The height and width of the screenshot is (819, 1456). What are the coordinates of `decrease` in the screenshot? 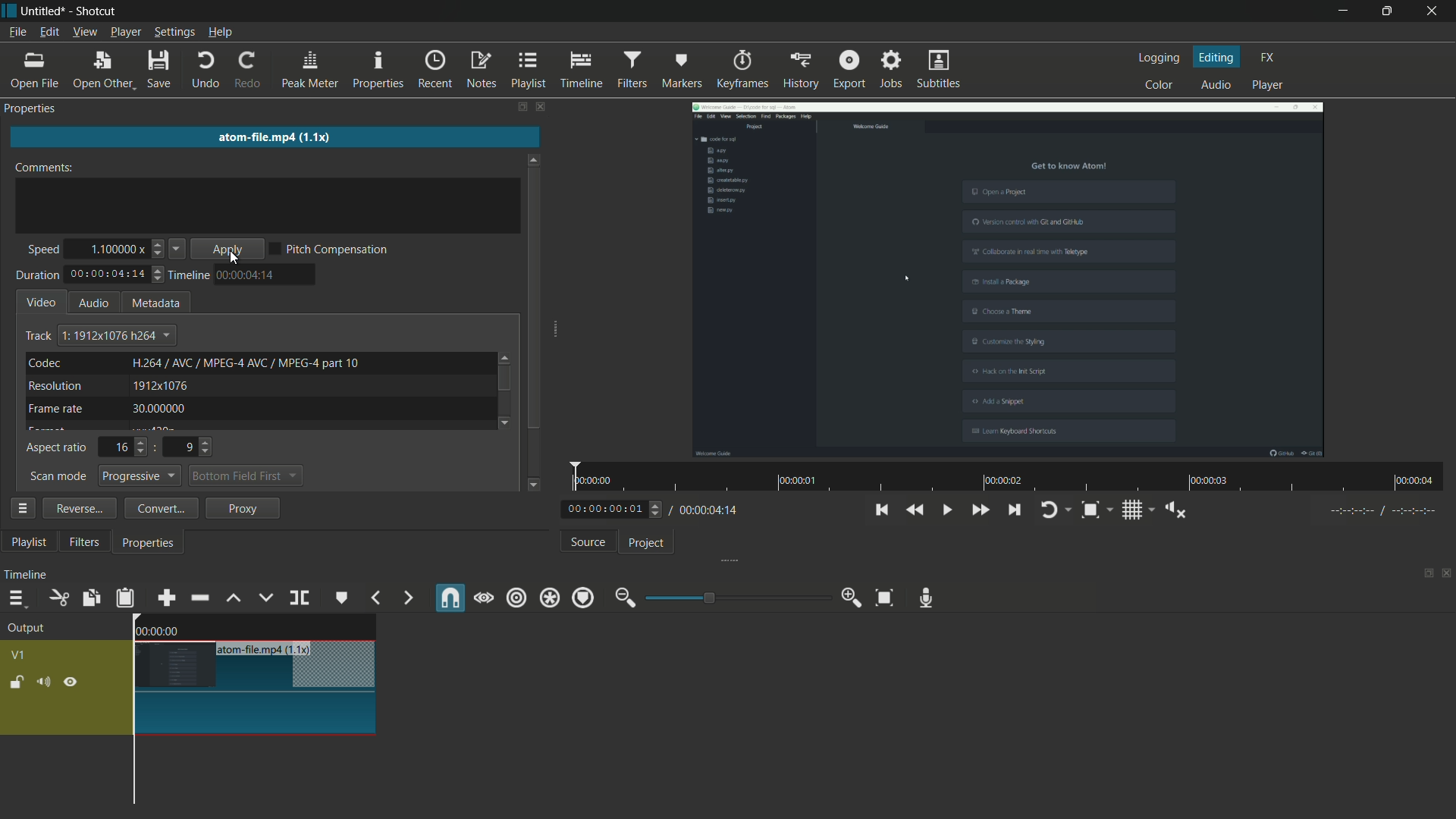 It's located at (178, 250).